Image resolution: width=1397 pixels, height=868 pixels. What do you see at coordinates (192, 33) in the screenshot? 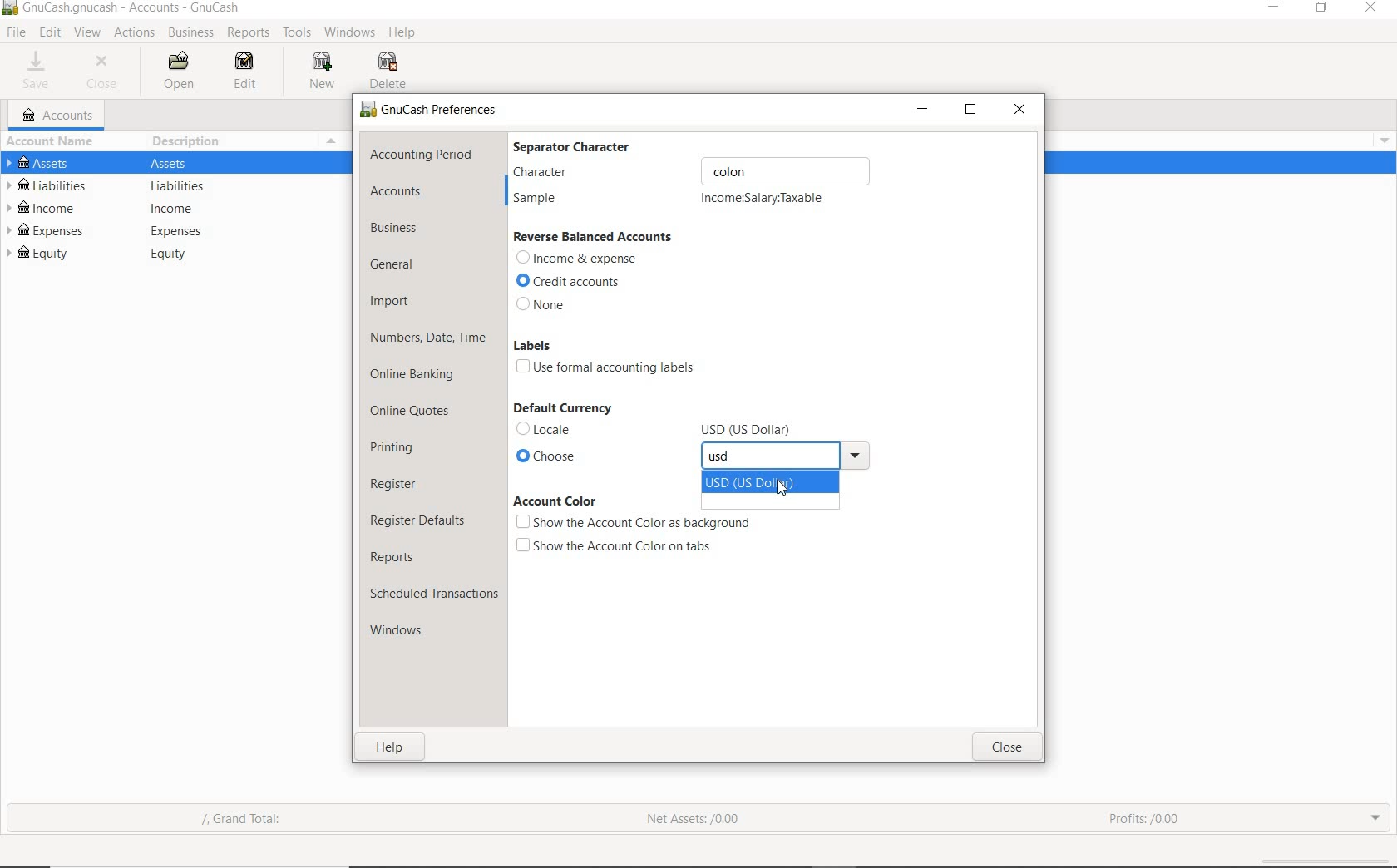
I see `BUSINESS` at bounding box center [192, 33].